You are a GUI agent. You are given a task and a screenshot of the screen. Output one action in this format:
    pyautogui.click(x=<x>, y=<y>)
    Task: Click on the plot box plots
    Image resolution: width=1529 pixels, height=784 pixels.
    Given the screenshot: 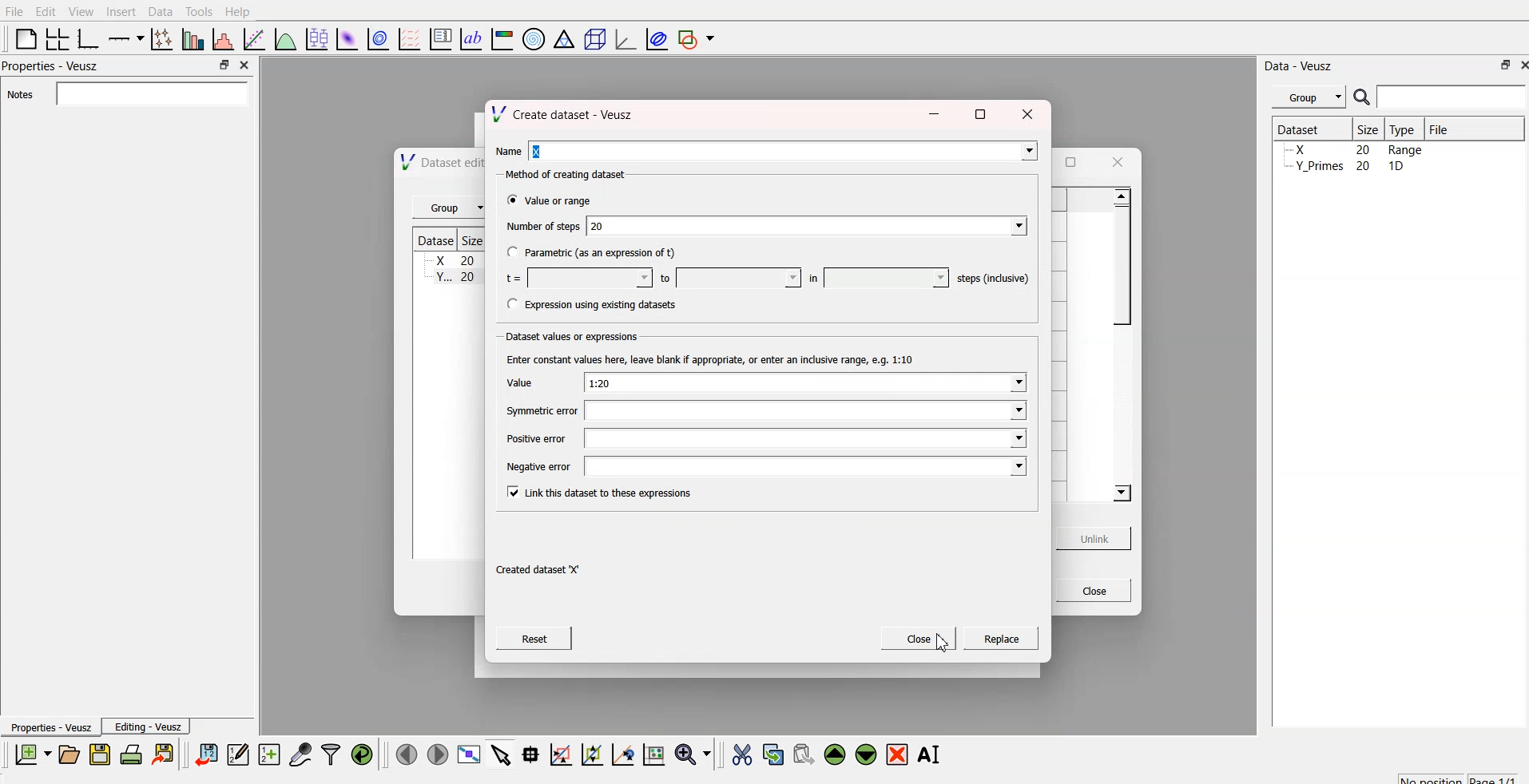 What is the action you would take?
    pyautogui.click(x=315, y=38)
    